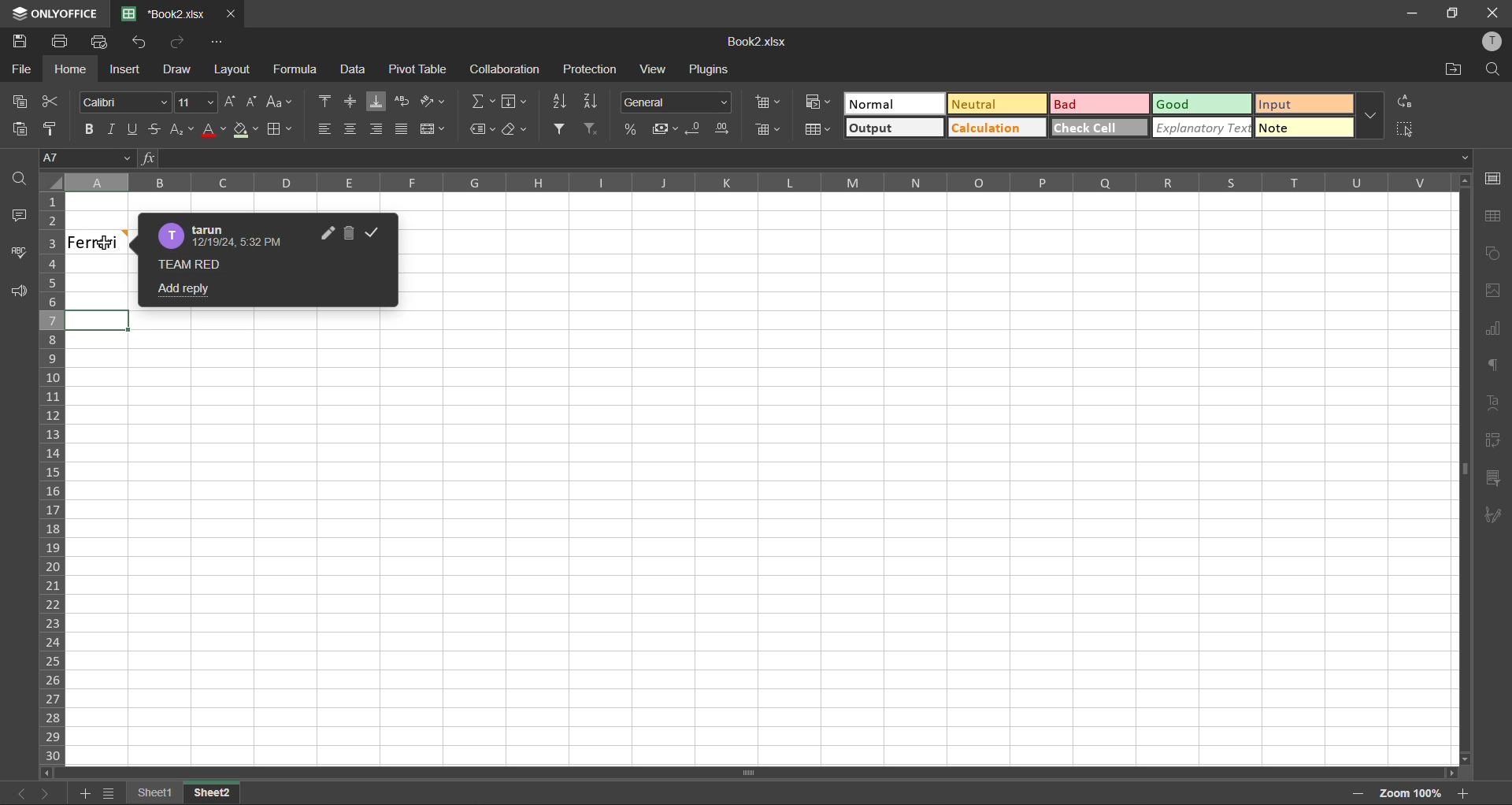  Describe the element at coordinates (1495, 68) in the screenshot. I see `Find` at that location.